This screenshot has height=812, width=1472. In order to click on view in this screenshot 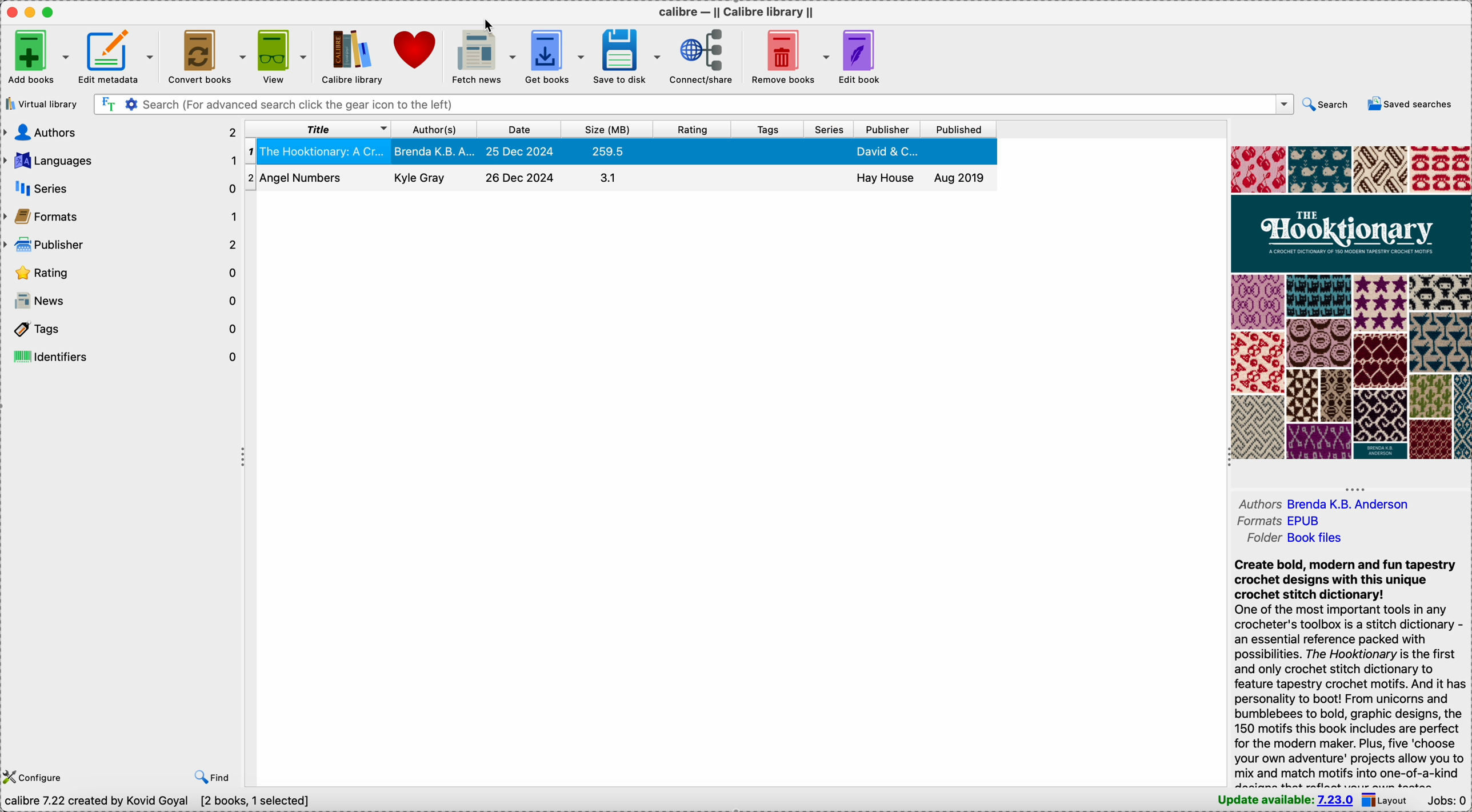, I will do `click(283, 55)`.